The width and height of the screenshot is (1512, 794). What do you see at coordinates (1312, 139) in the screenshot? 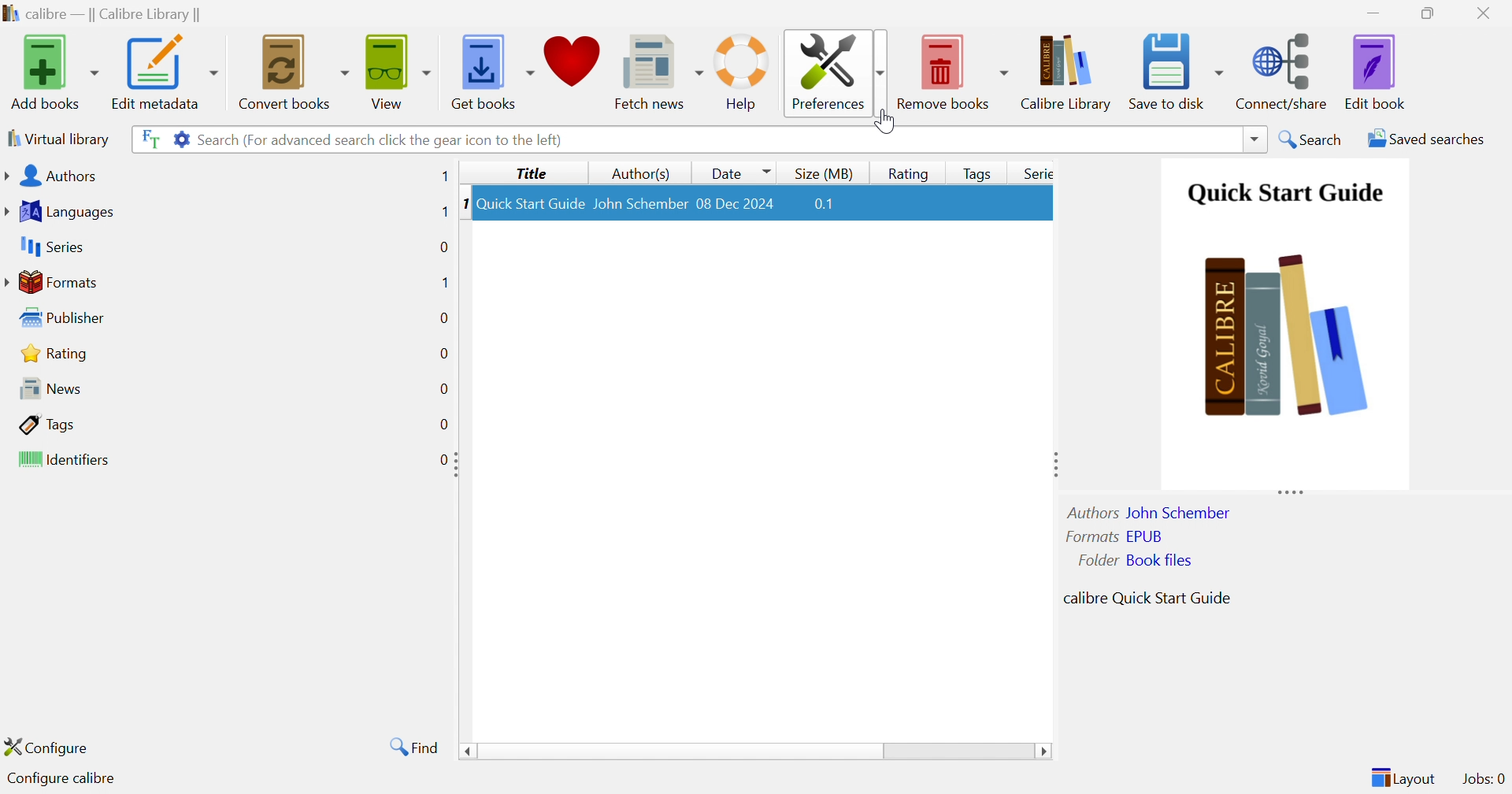
I see `Search` at bounding box center [1312, 139].